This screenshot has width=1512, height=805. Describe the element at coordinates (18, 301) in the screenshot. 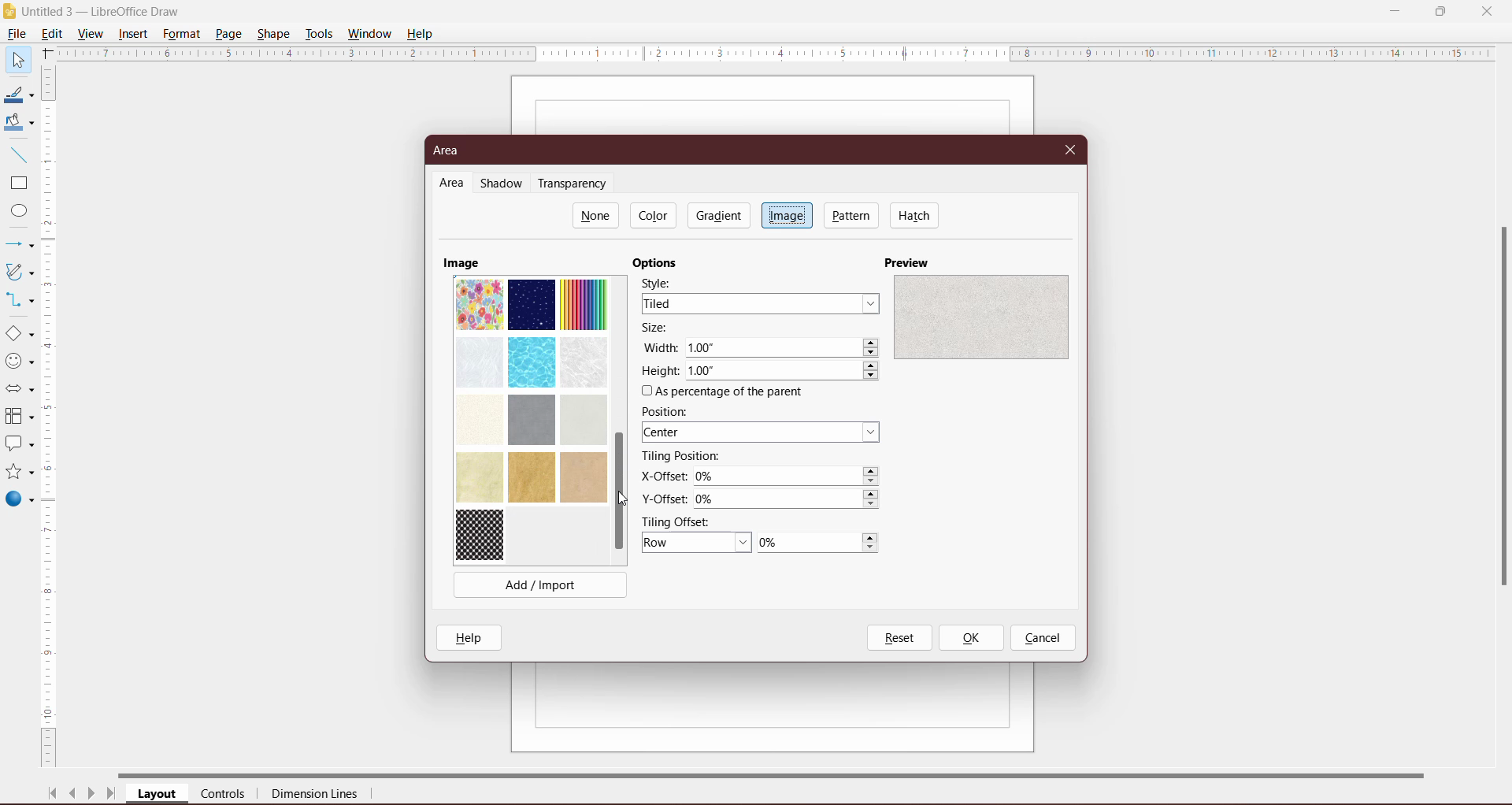

I see `Connectors` at that location.